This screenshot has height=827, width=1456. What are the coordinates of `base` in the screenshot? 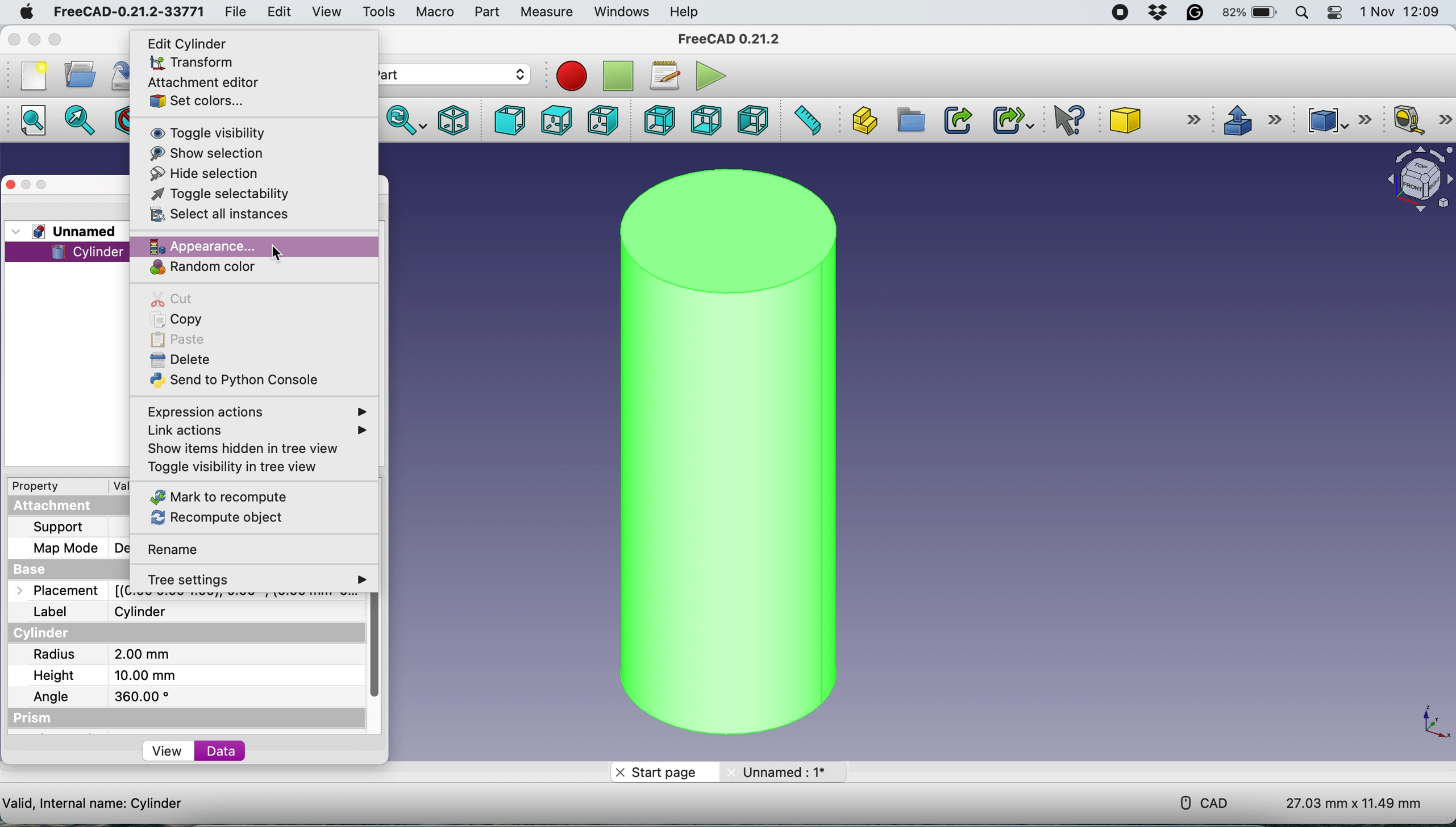 It's located at (30, 569).